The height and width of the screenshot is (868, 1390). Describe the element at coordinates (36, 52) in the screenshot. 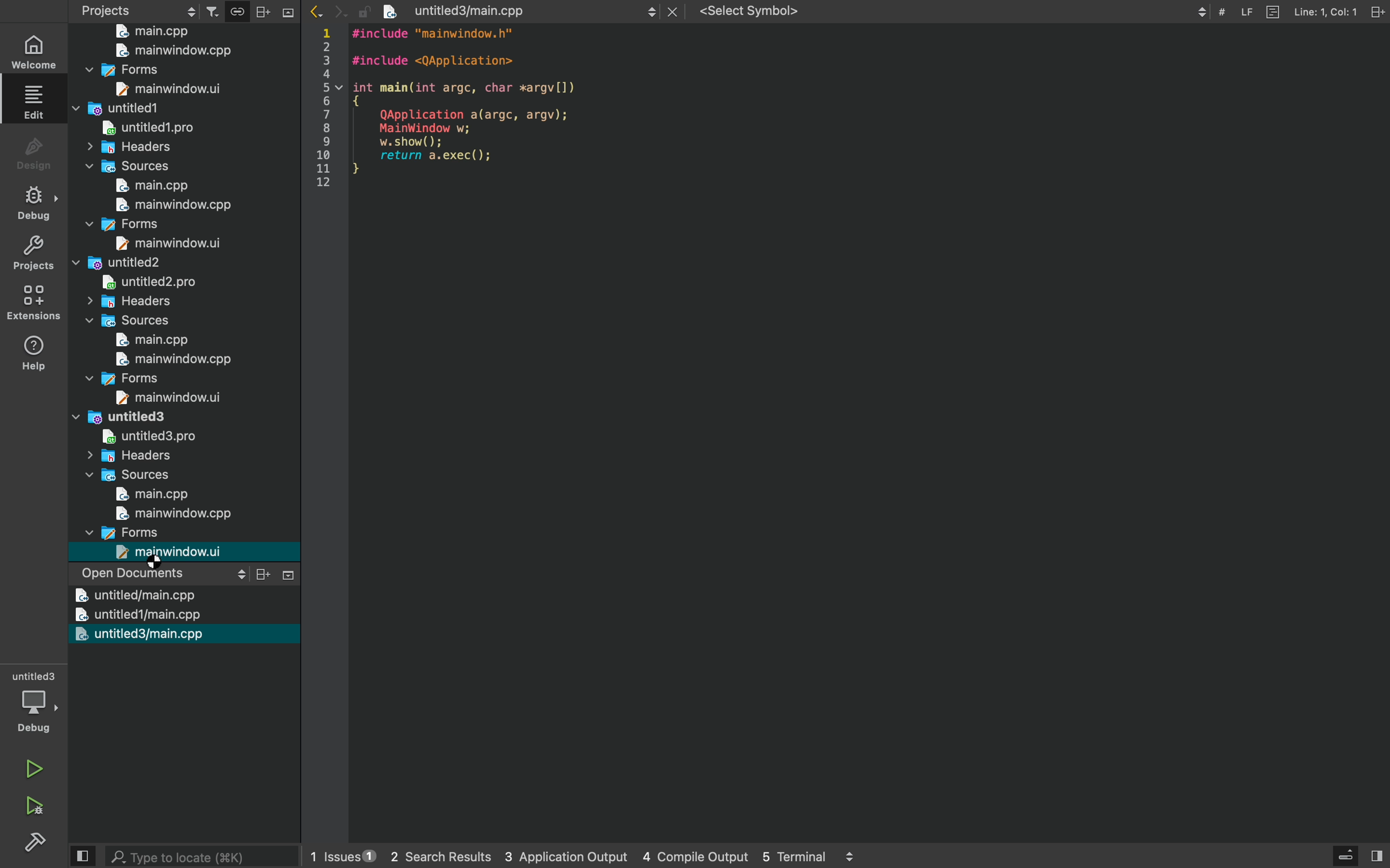

I see `home` at that location.